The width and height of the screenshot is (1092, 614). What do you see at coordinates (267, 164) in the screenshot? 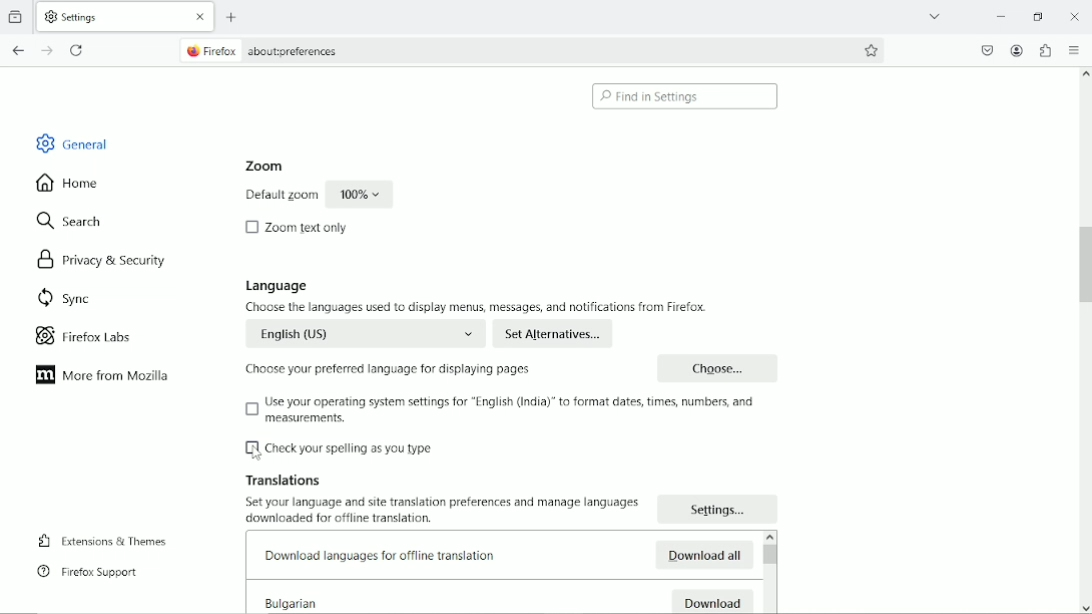
I see `Zoom` at bounding box center [267, 164].